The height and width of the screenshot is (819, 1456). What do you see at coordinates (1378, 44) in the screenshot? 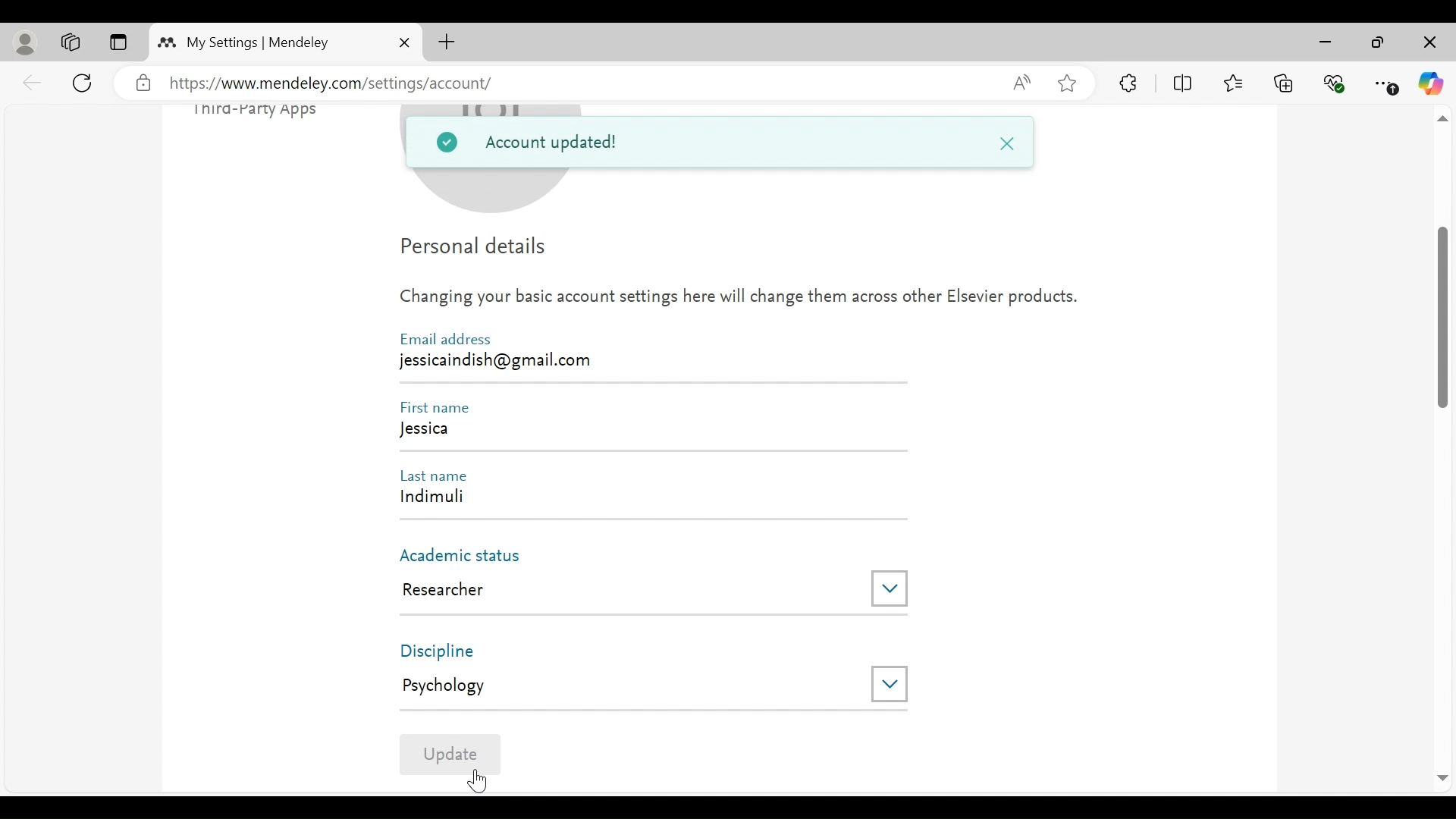
I see `Maximize` at bounding box center [1378, 44].